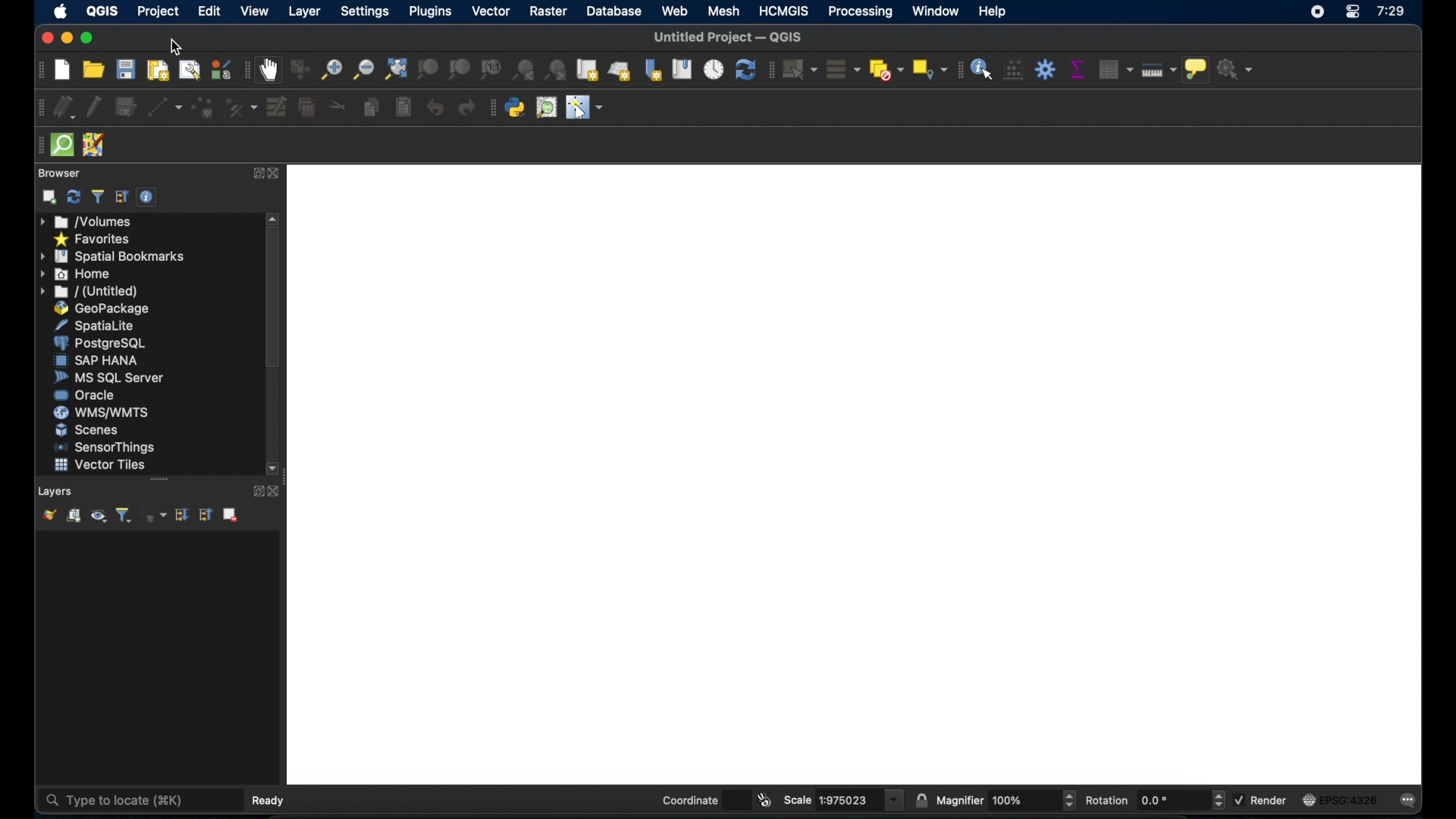 This screenshot has width=1456, height=819. What do you see at coordinates (99, 466) in the screenshot?
I see `vector tiles` at bounding box center [99, 466].